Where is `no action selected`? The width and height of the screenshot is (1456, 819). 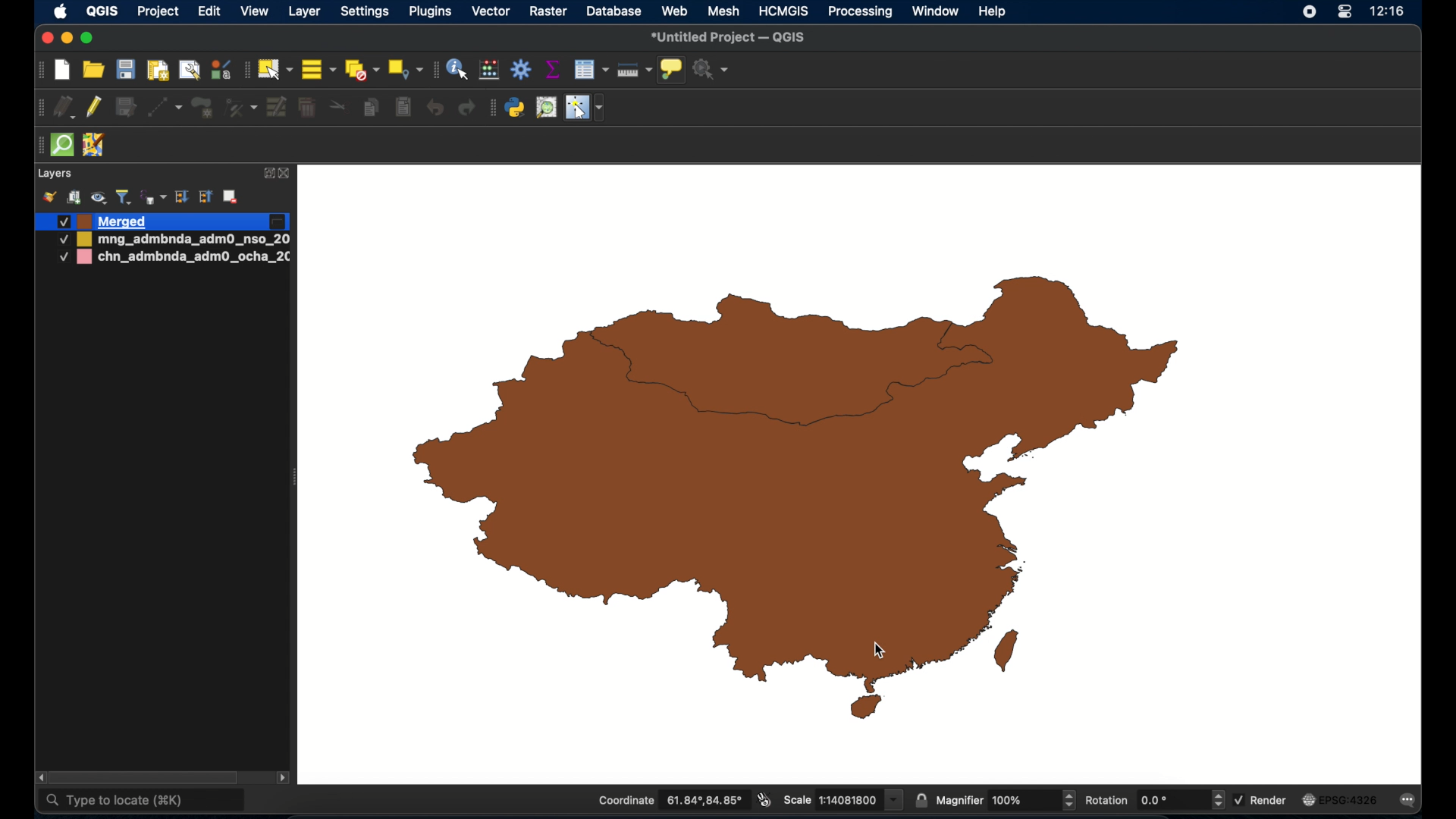 no action selected is located at coordinates (711, 70).